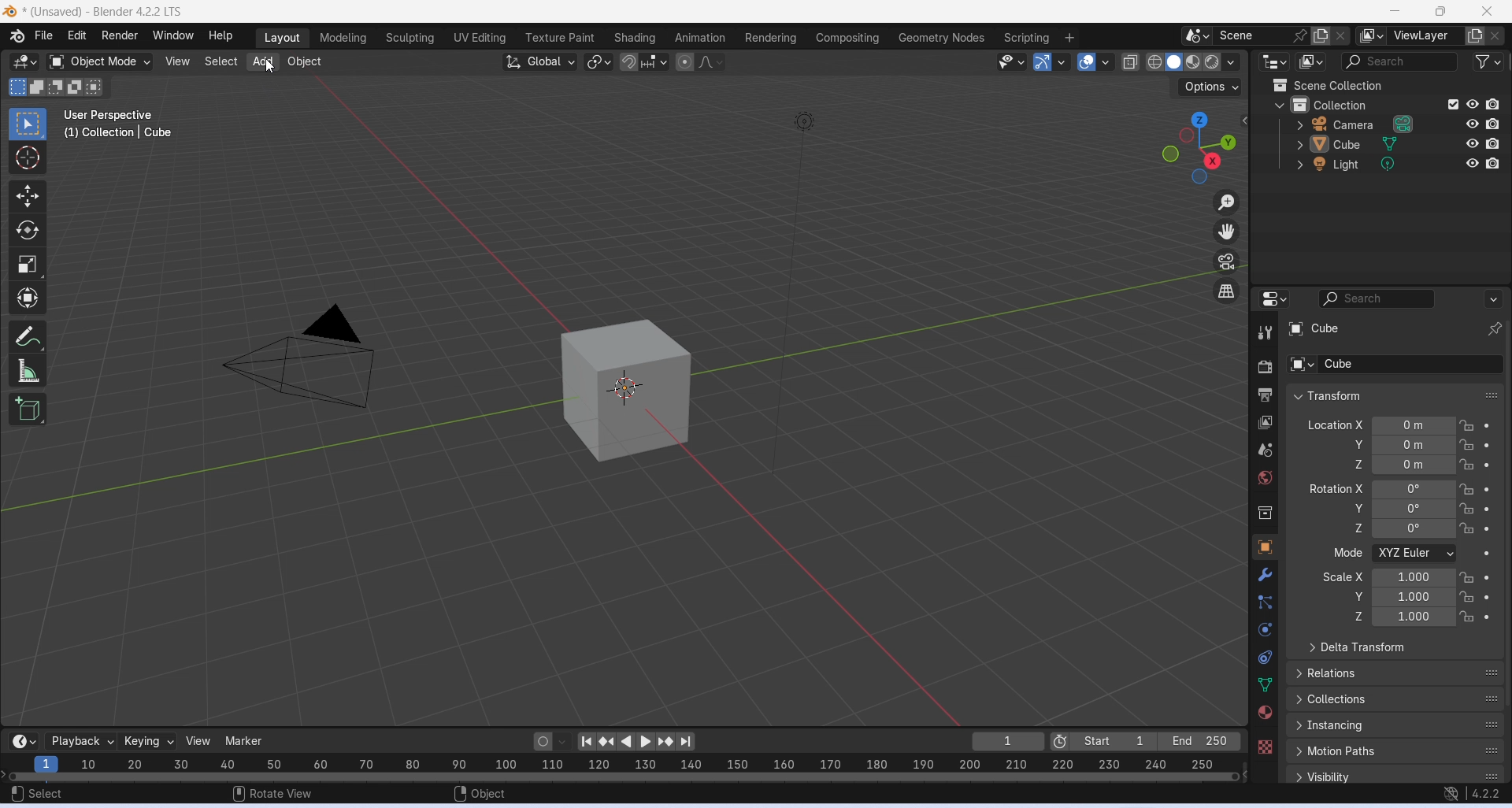  I want to click on 4.2.2, so click(1487, 793).